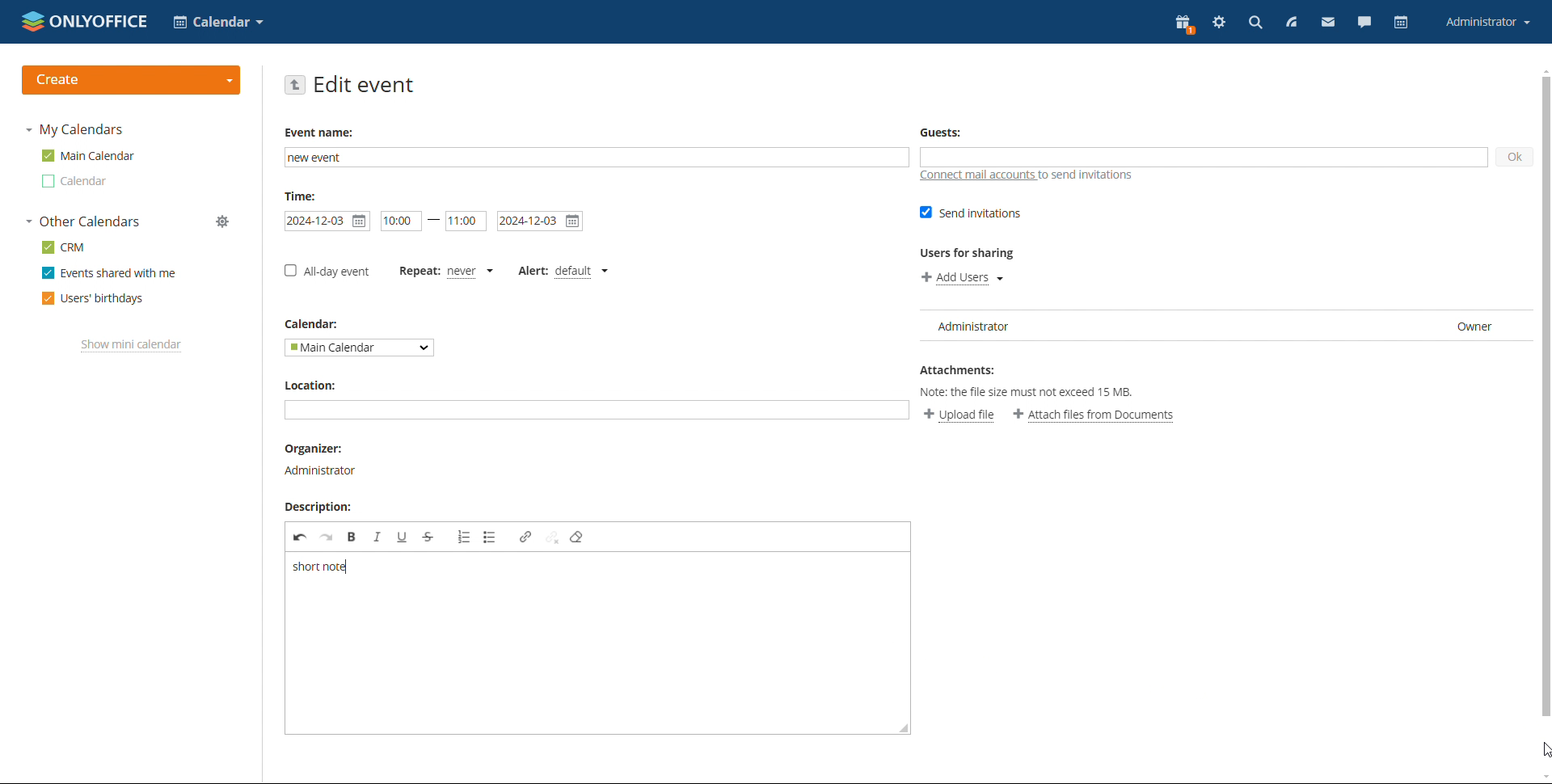 This screenshot has height=784, width=1552. Describe the element at coordinates (963, 278) in the screenshot. I see `add users` at that location.